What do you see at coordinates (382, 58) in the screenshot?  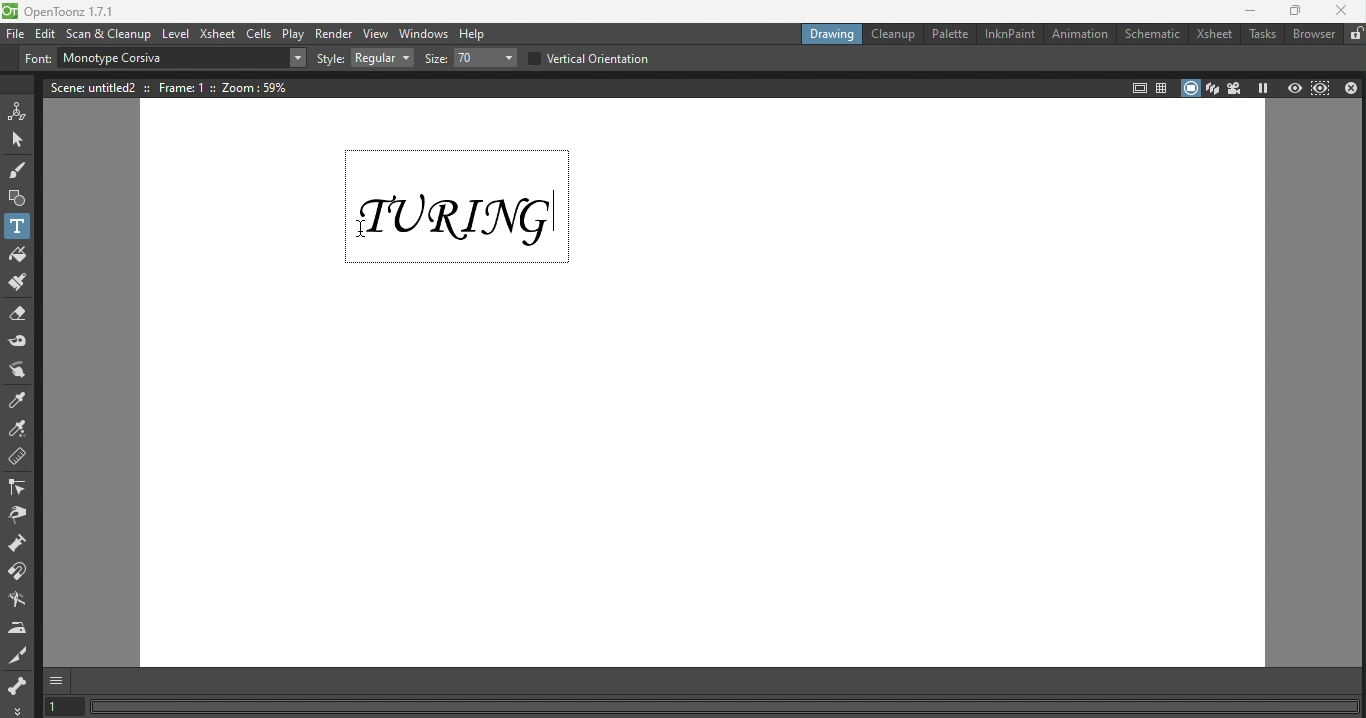 I see `Drop down` at bounding box center [382, 58].